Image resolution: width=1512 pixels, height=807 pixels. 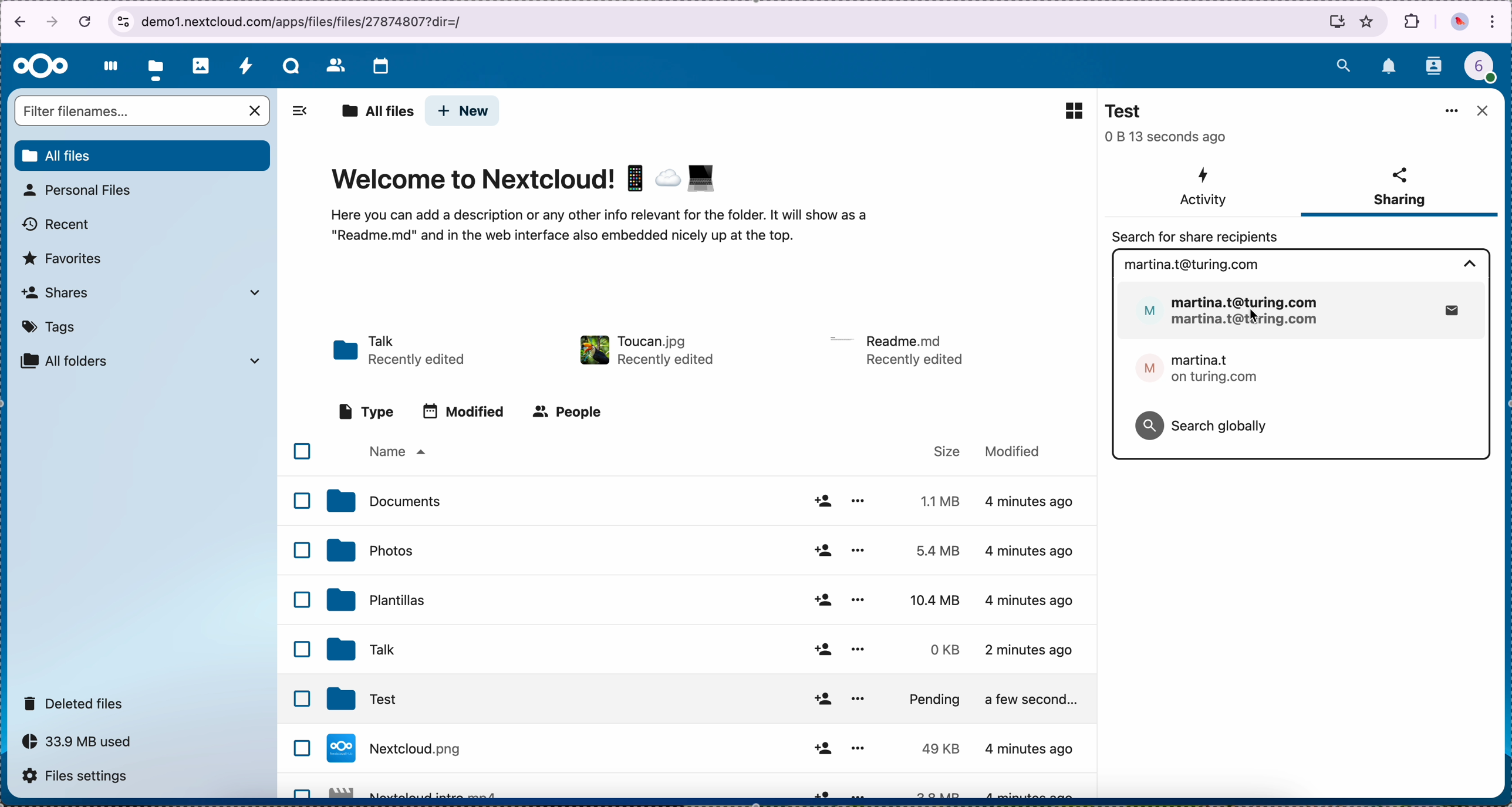 I want to click on templates, so click(x=703, y=597).